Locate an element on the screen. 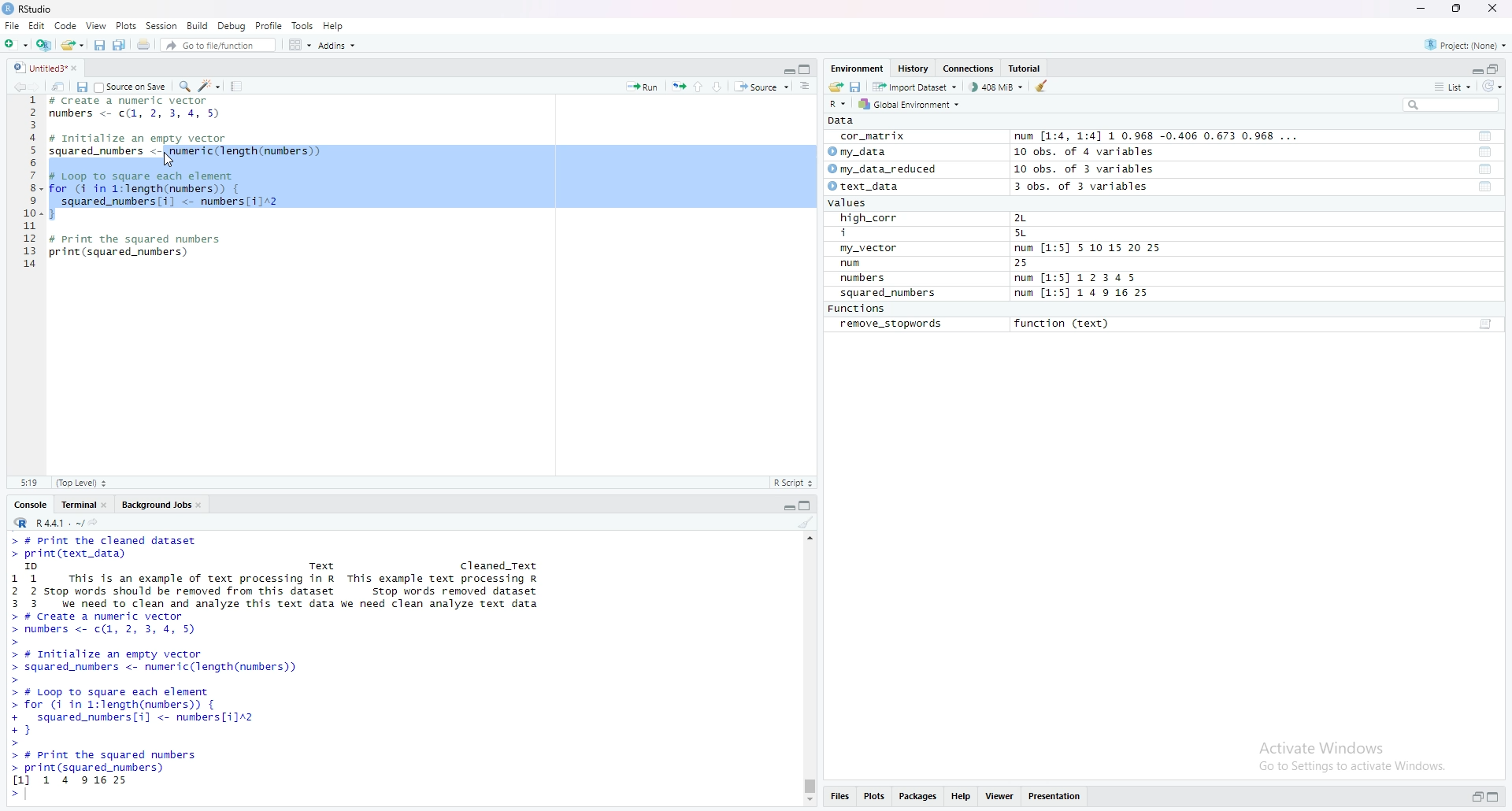  Print the current file is located at coordinates (142, 43).